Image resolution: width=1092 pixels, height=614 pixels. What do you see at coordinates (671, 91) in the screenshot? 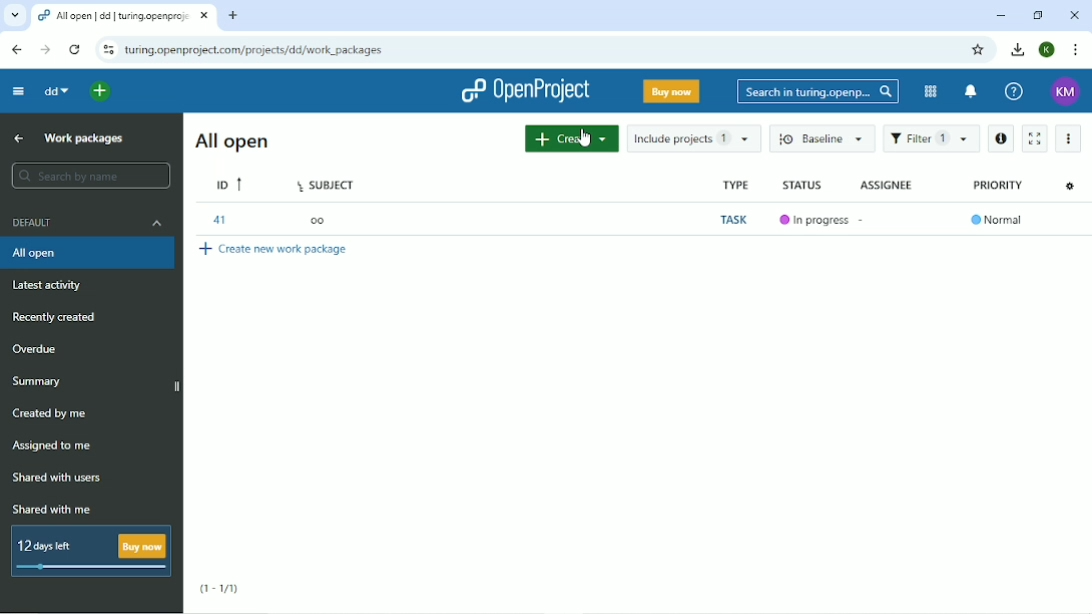
I see `Buy now` at bounding box center [671, 91].